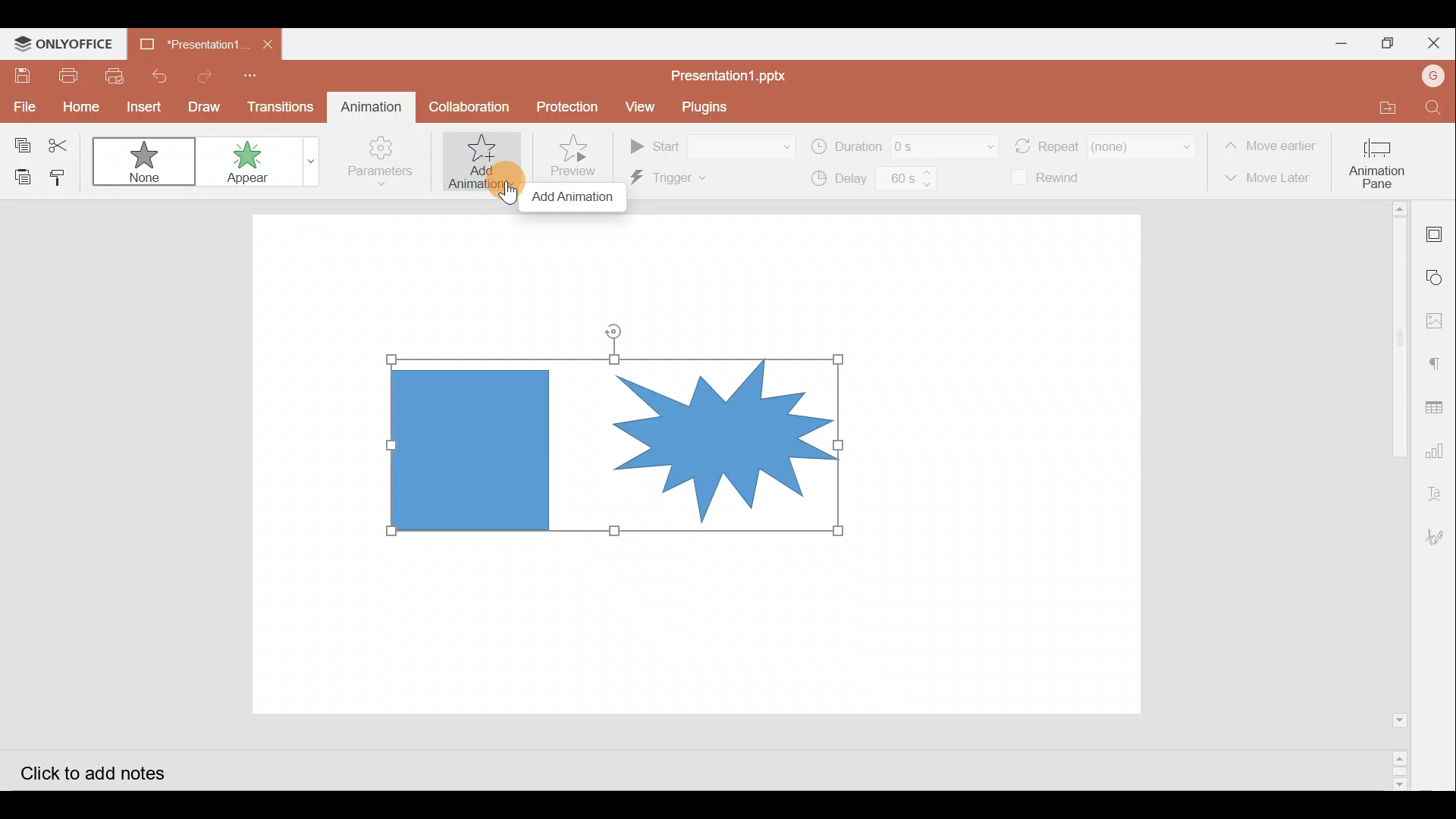  What do you see at coordinates (206, 105) in the screenshot?
I see `Draw` at bounding box center [206, 105].